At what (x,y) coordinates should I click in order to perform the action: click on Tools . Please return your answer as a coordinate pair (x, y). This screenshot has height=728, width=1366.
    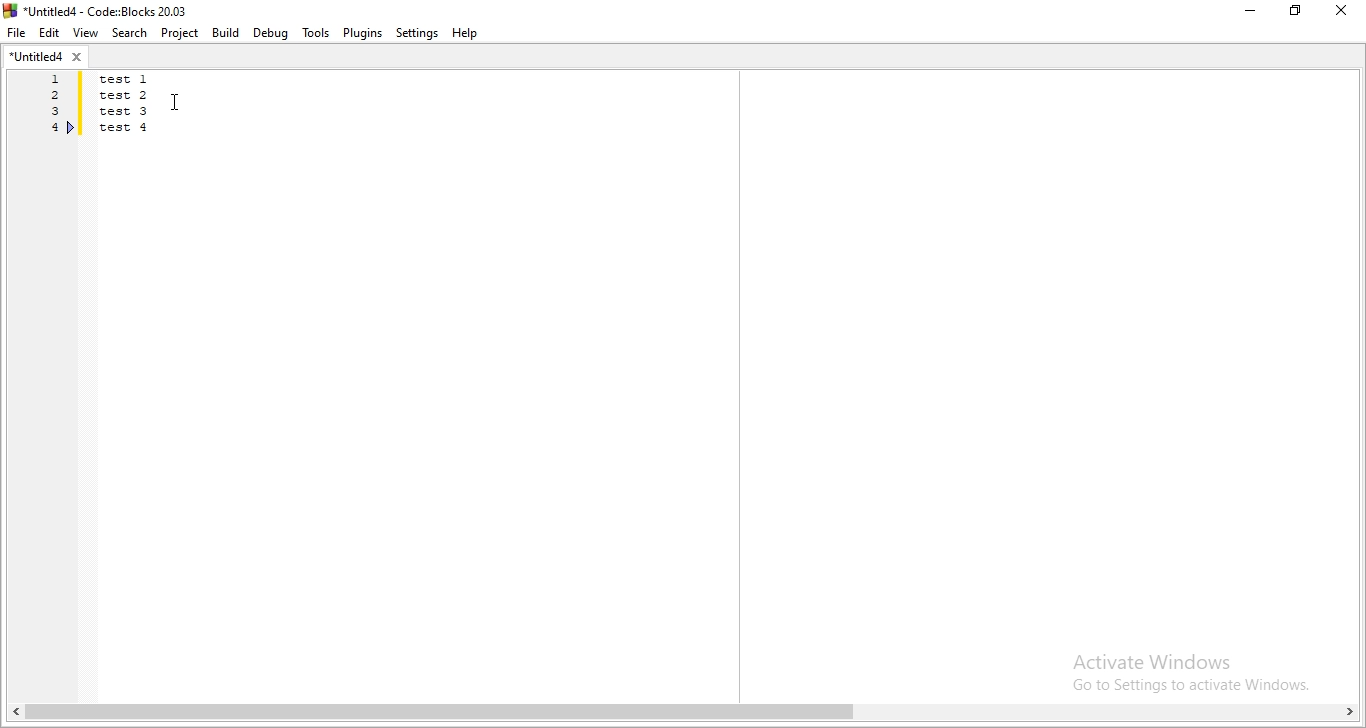
    Looking at the image, I should click on (314, 32).